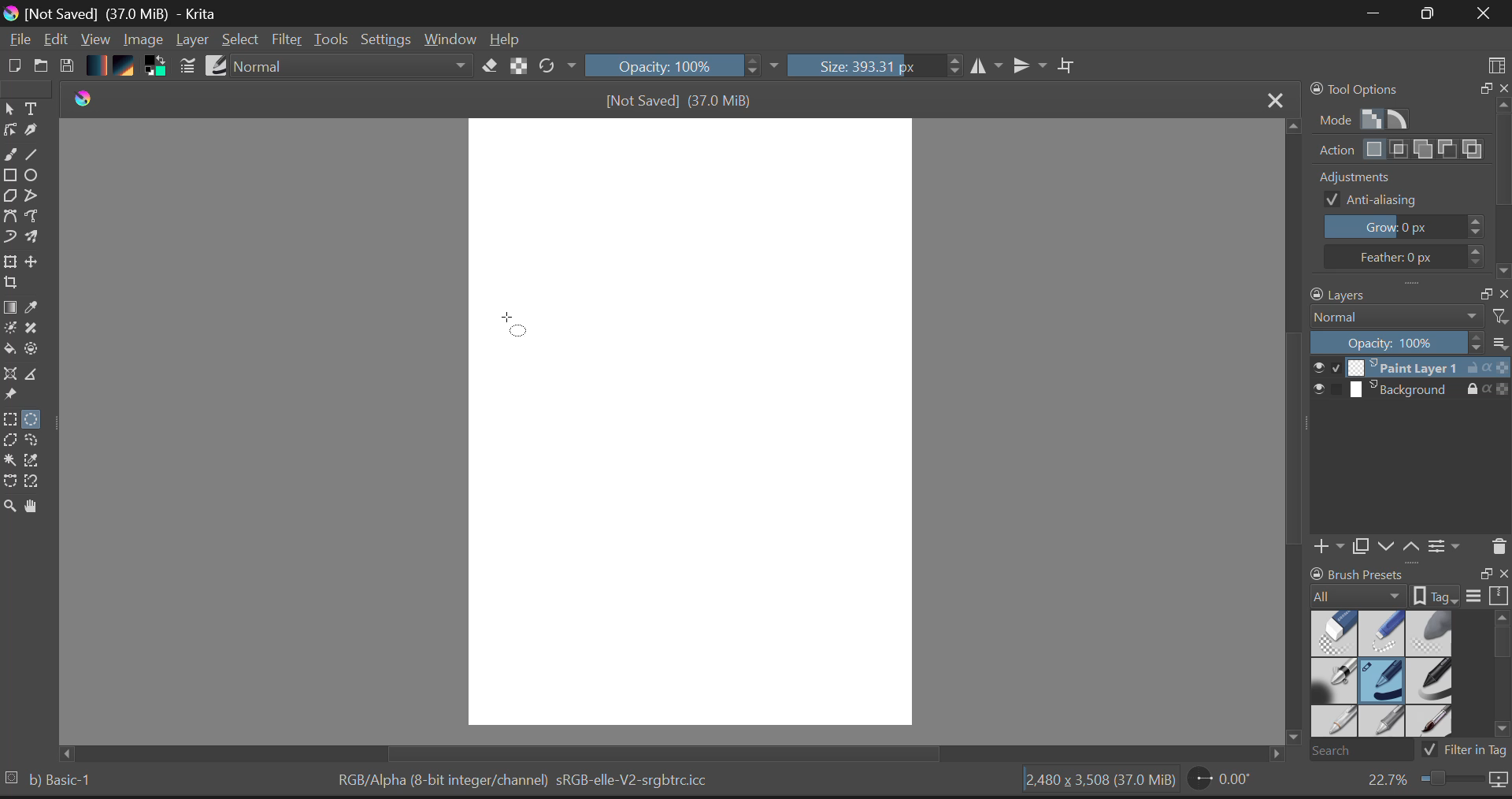 This screenshot has width=1512, height=799. What do you see at coordinates (516, 329) in the screenshot?
I see `MOUSE_DOWN Cursor Position` at bounding box center [516, 329].